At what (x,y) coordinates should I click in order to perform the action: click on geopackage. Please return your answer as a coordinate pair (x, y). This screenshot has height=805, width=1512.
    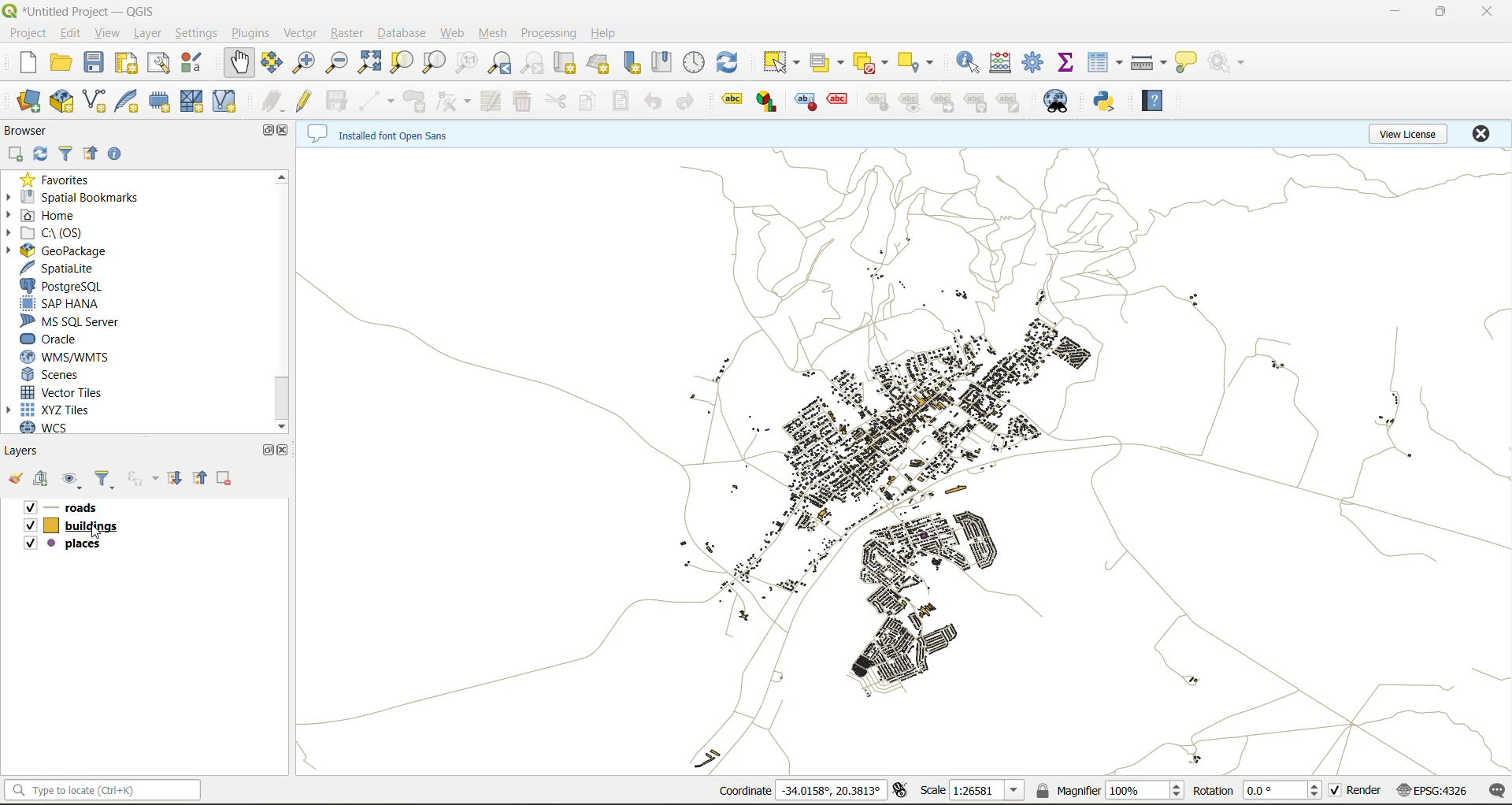
    Looking at the image, I should click on (66, 253).